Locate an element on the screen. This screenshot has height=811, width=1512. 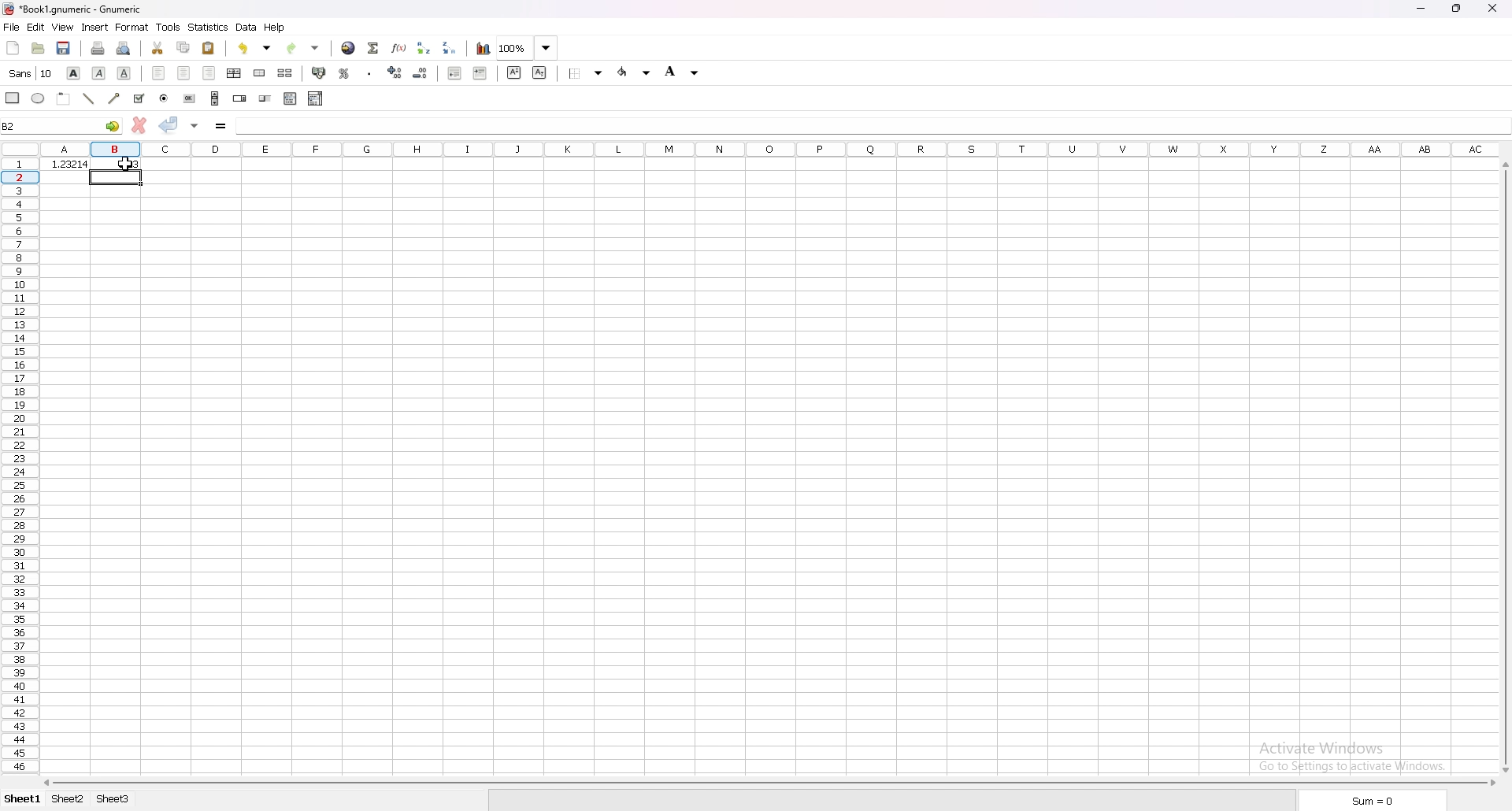
output is located at coordinates (118, 164).